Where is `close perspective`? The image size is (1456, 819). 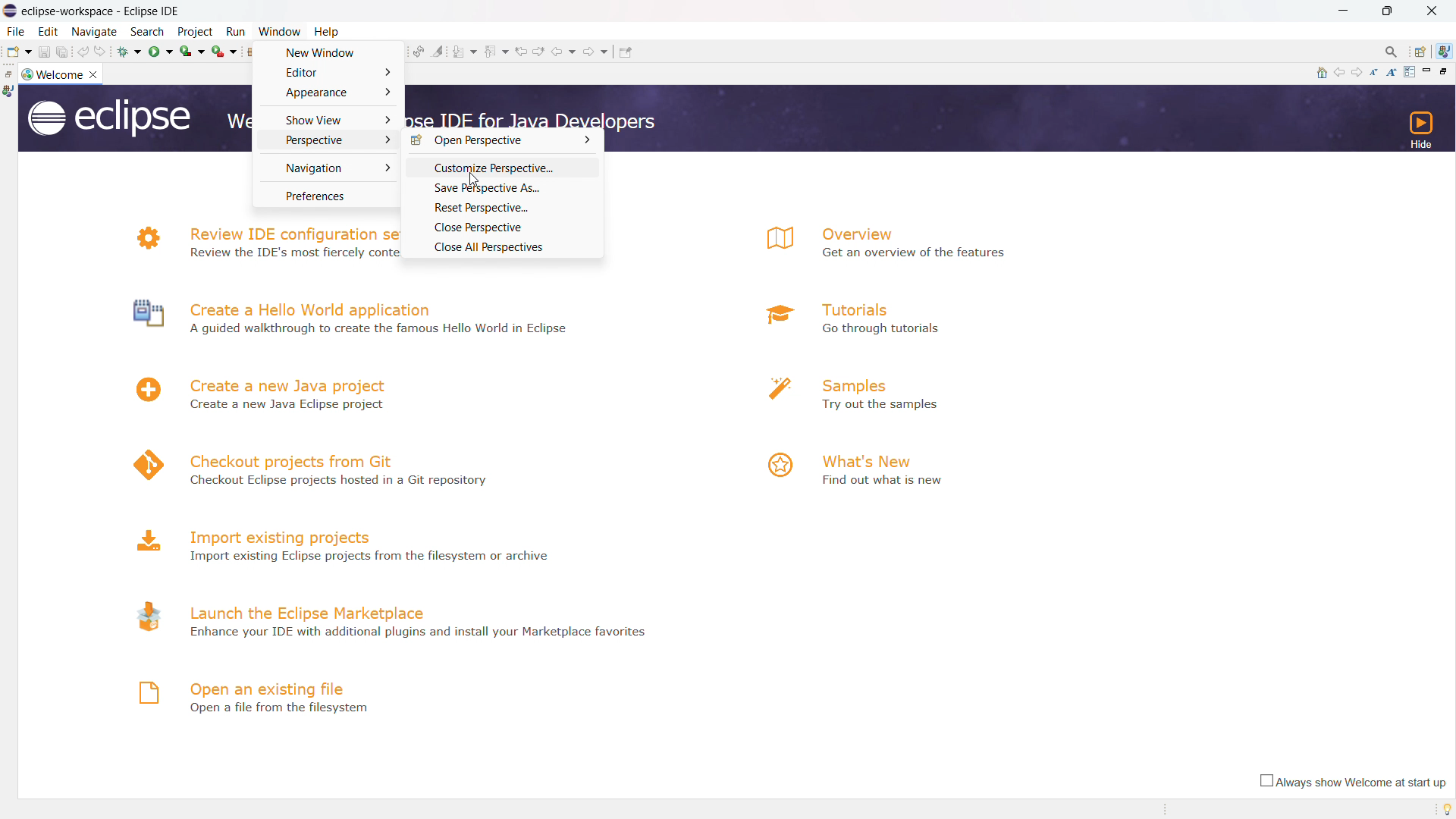 close perspective is located at coordinates (502, 227).